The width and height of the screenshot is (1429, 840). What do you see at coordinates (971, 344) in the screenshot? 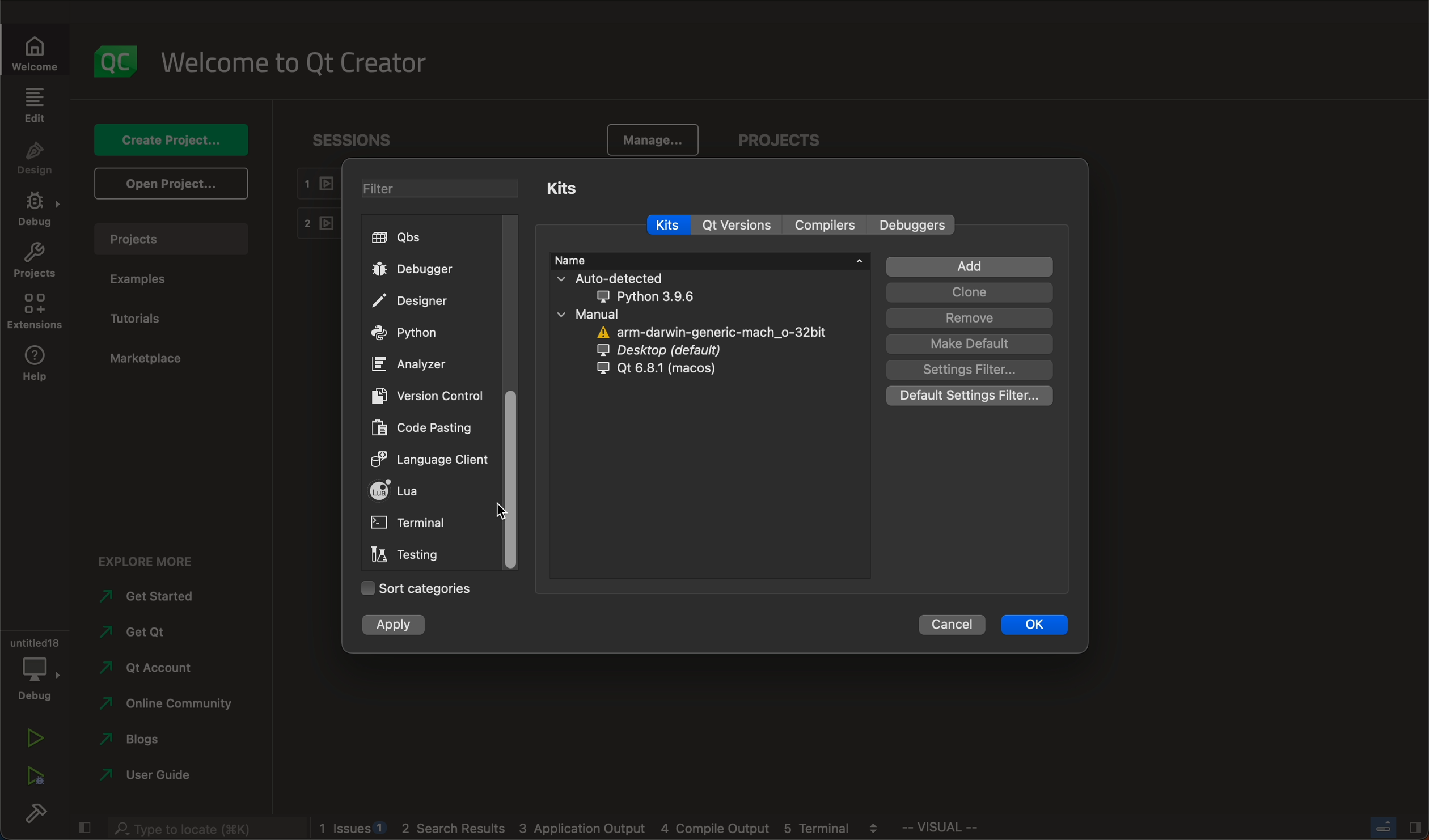
I see `make` at bounding box center [971, 344].